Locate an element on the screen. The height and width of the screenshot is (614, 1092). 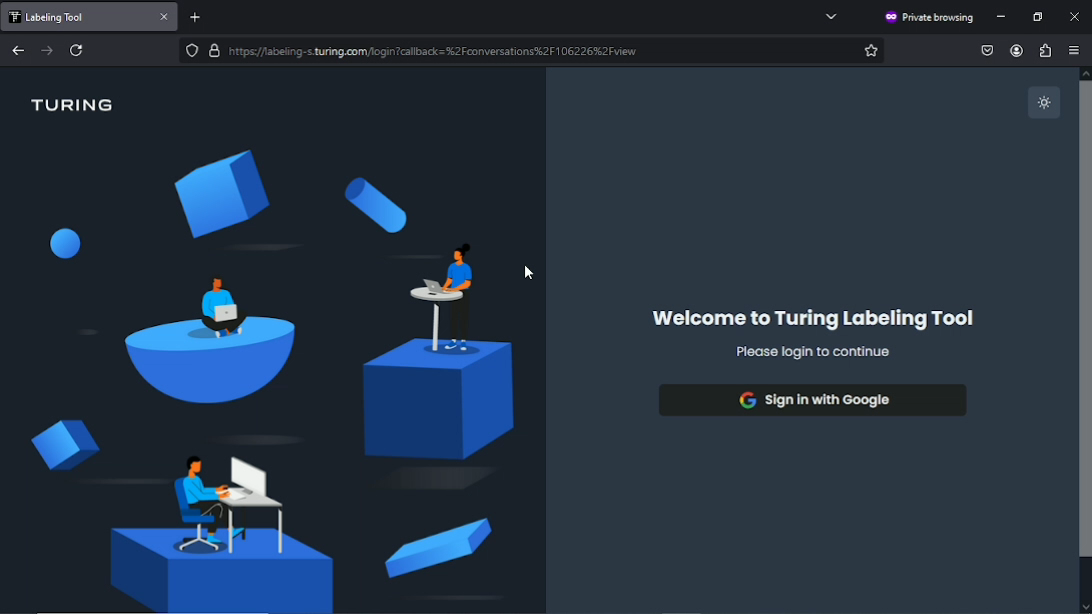
restore down is located at coordinates (1039, 17).